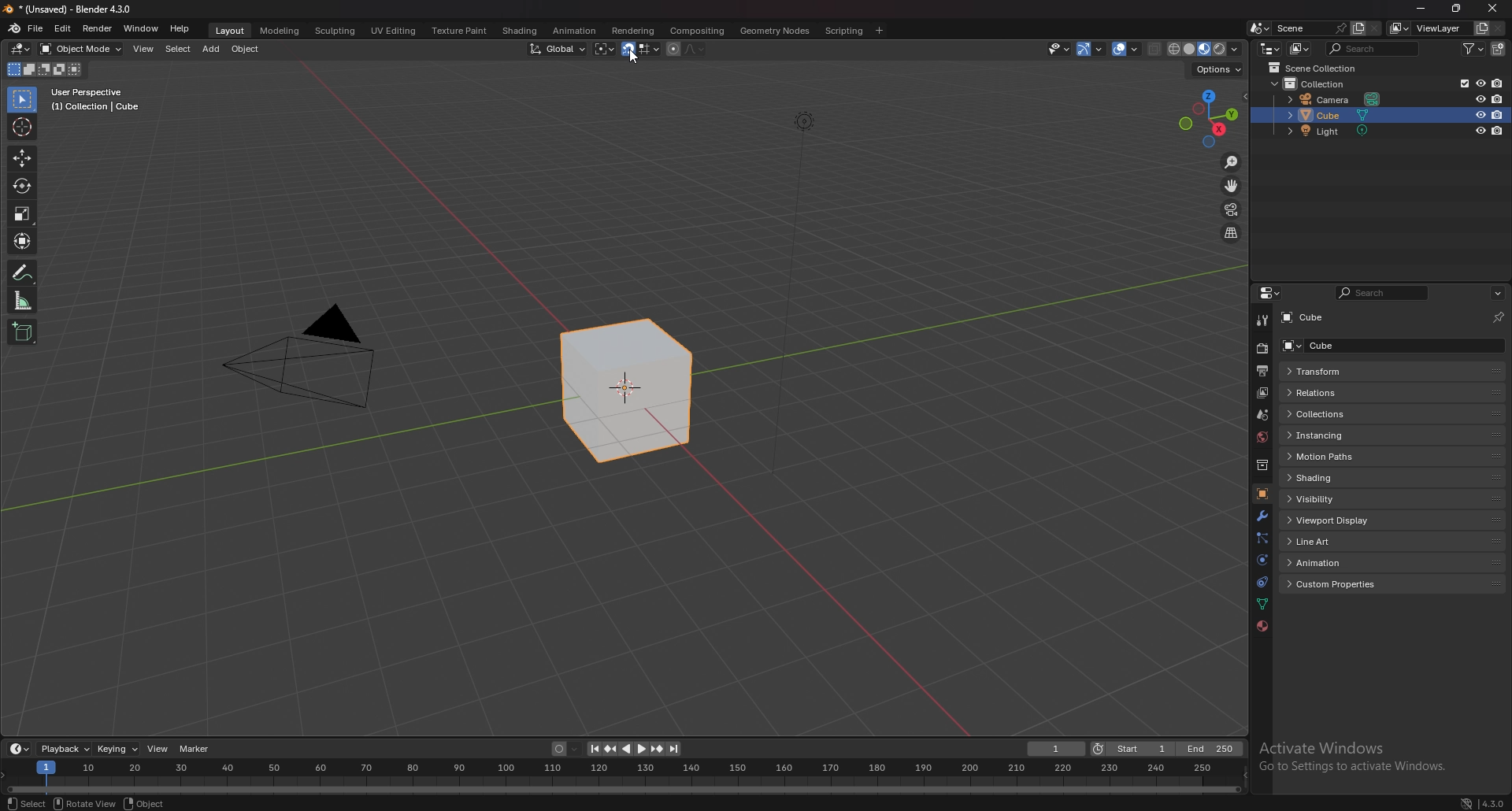 Image resolution: width=1512 pixels, height=811 pixels. I want to click on tool, so click(1261, 320).